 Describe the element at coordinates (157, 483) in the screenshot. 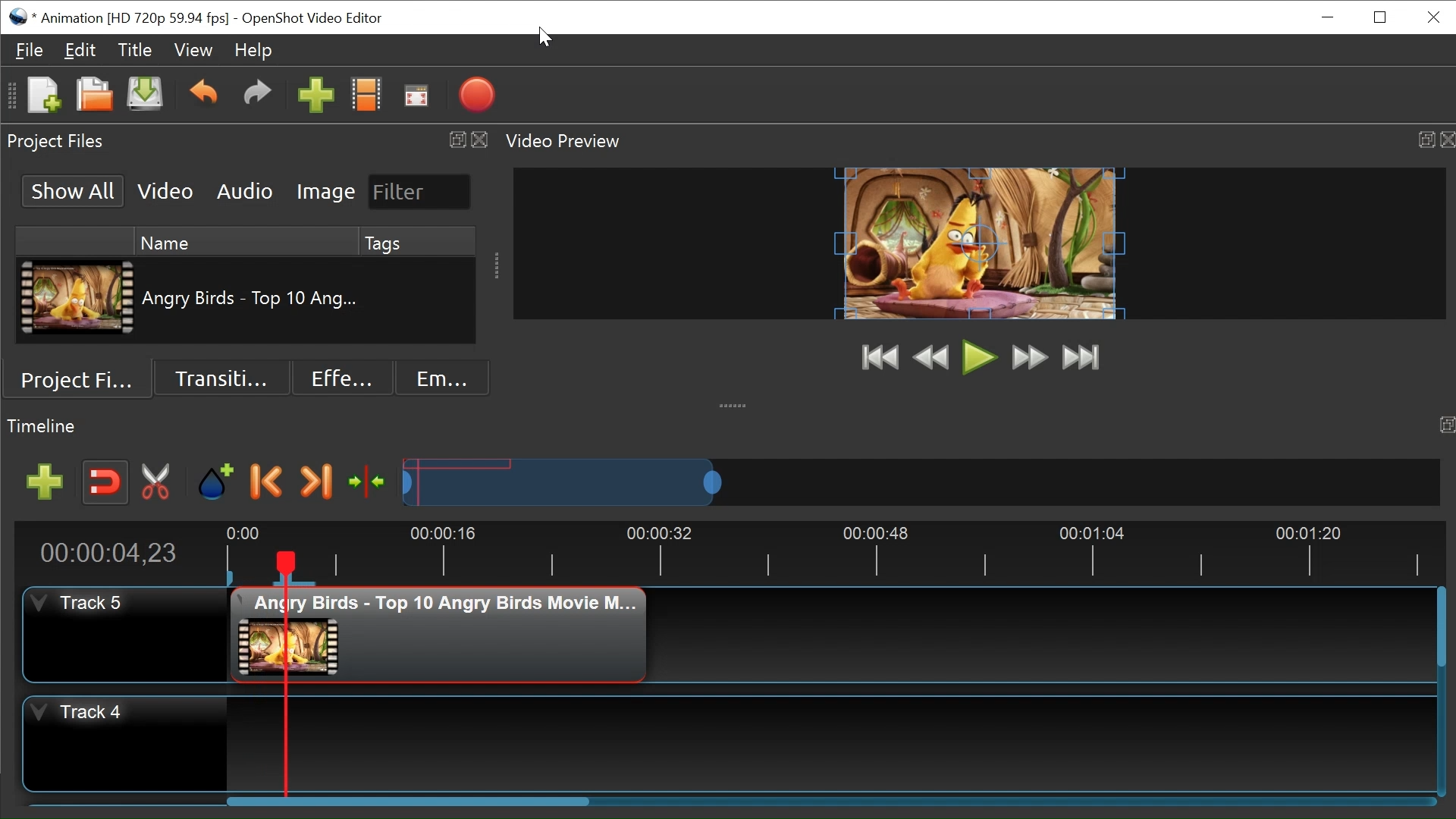

I see `Razor` at that location.